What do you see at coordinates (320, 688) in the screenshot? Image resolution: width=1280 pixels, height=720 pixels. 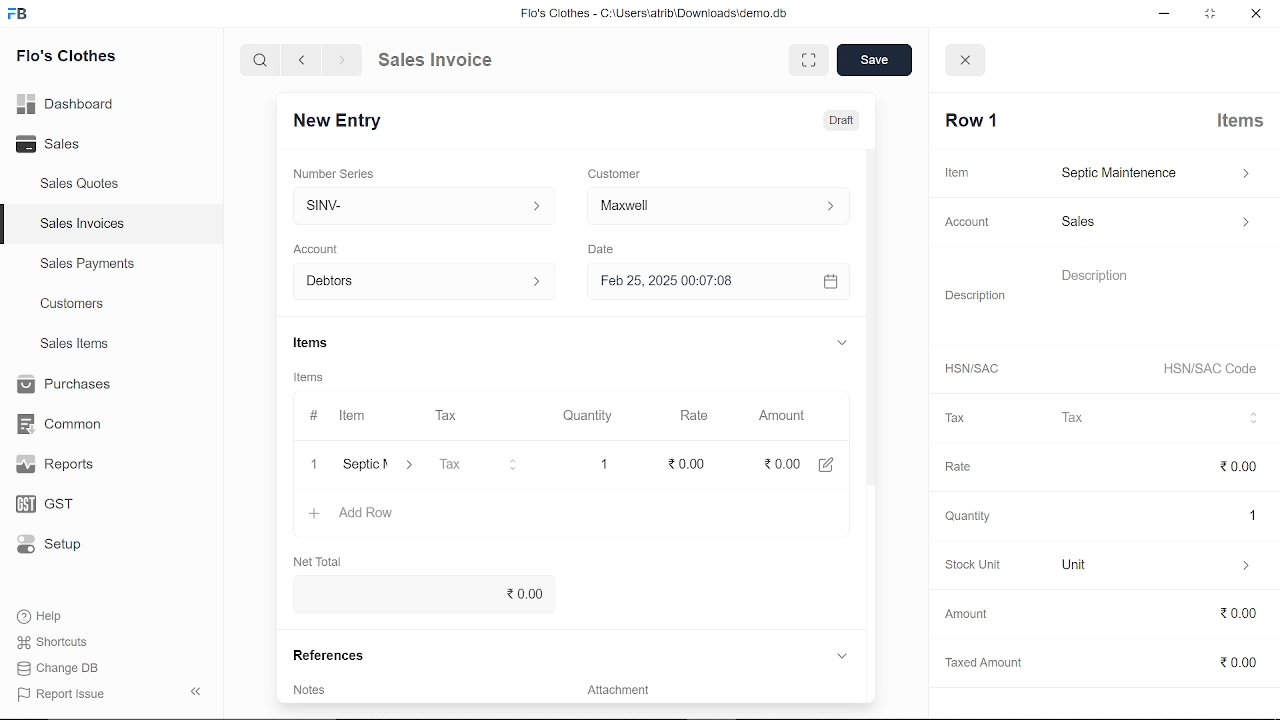 I see `Add invoice terms` at bounding box center [320, 688].